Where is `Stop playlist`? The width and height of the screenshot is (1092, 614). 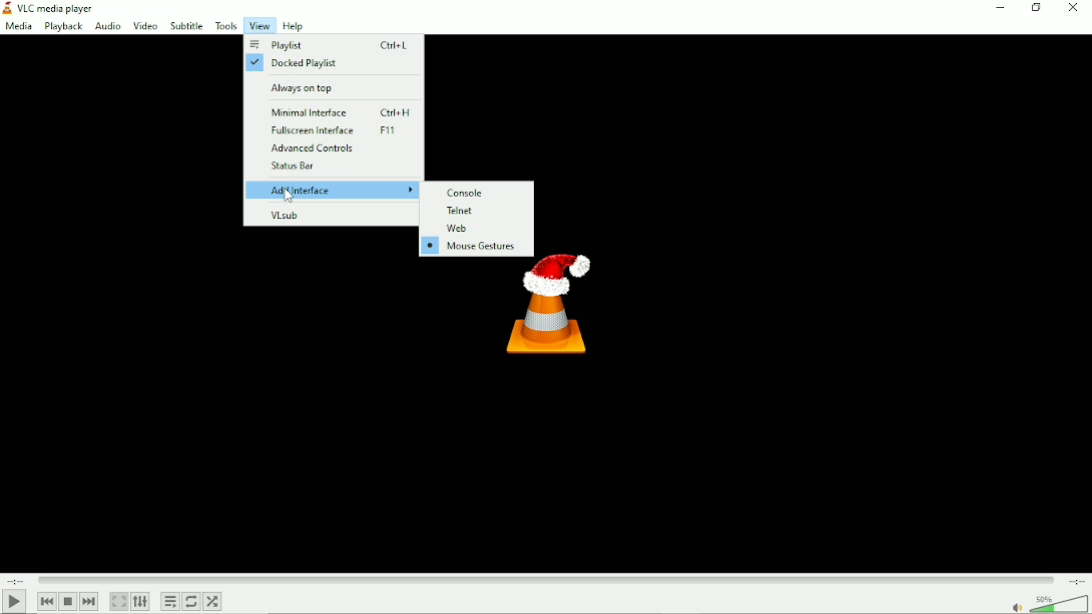 Stop playlist is located at coordinates (68, 601).